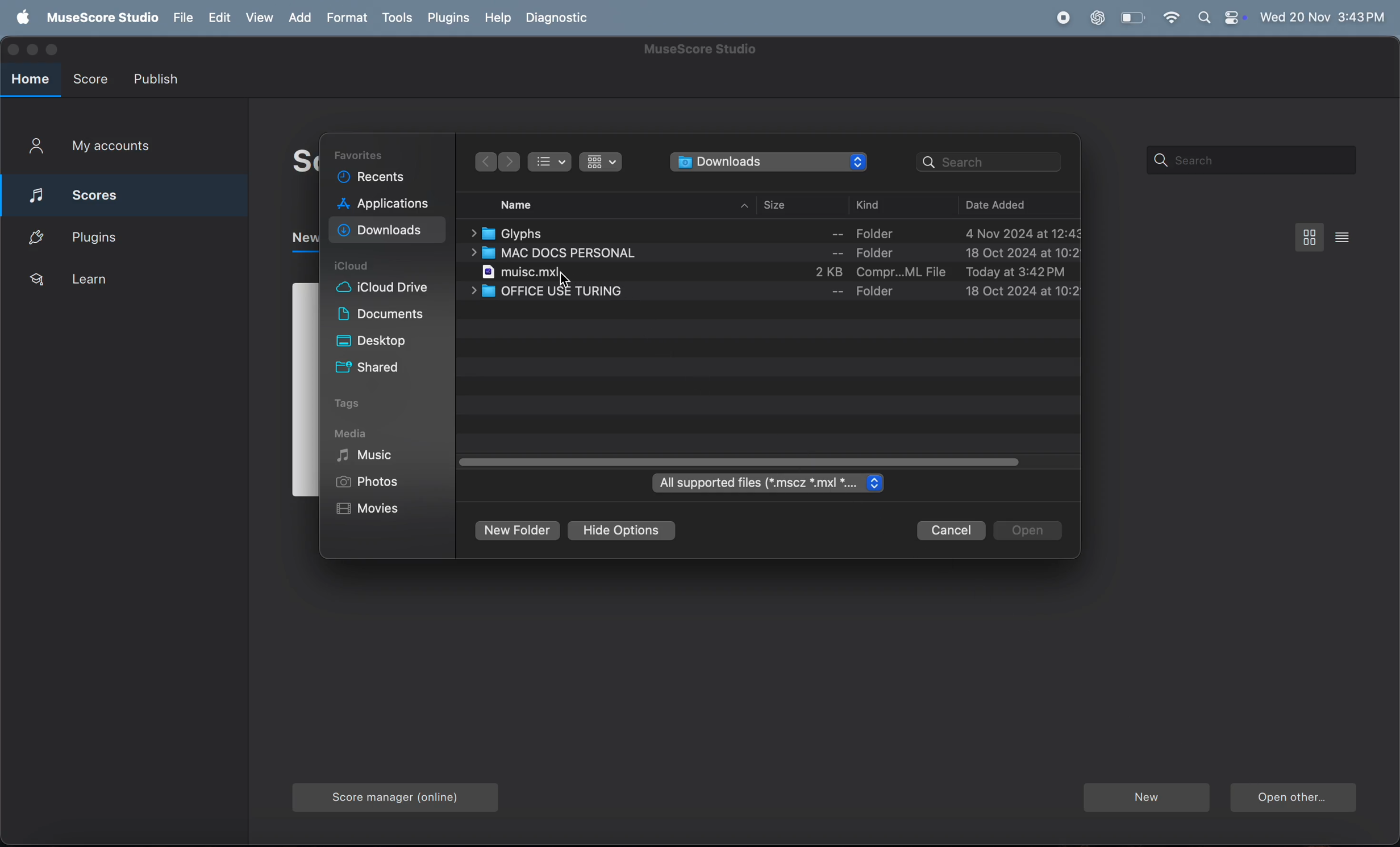 The height and width of the screenshot is (847, 1400). Describe the element at coordinates (398, 19) in the screenshot. I see `tools` at that location.